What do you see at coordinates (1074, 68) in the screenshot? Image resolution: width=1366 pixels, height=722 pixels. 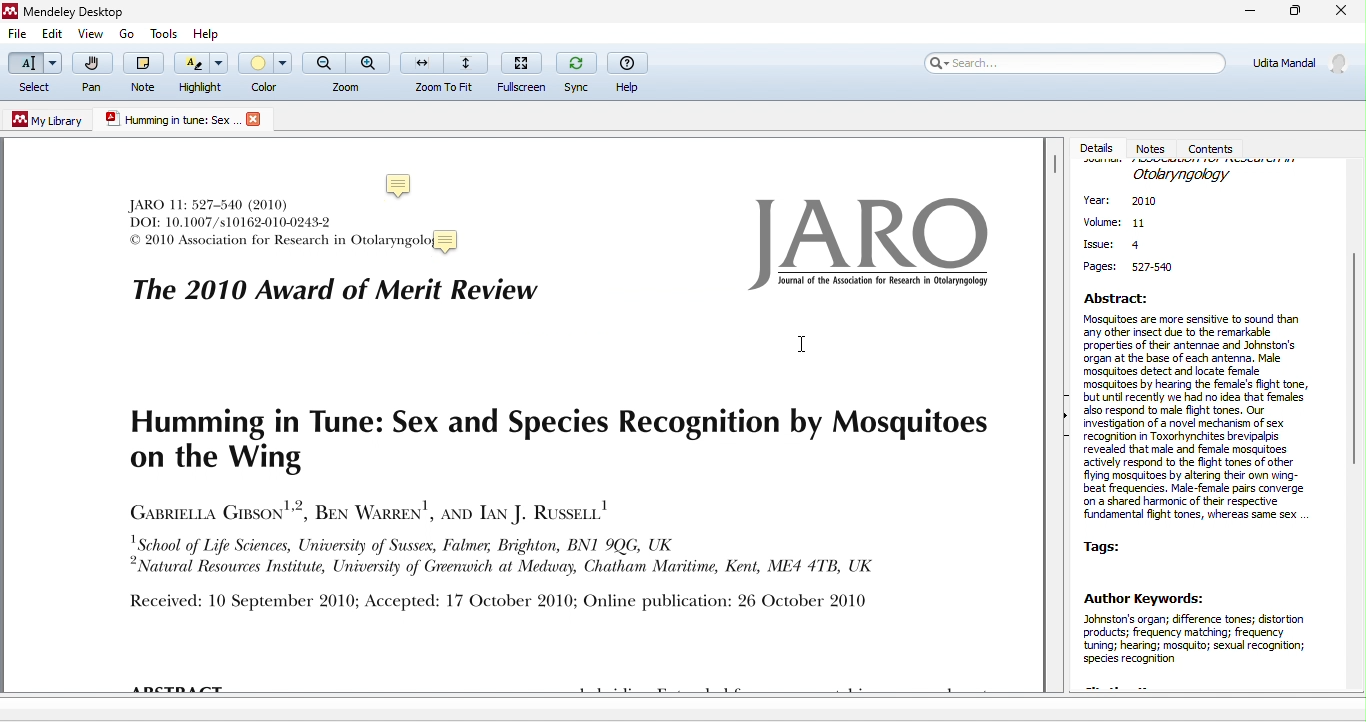 I see `search bar` at bounding box center [1074, 68].